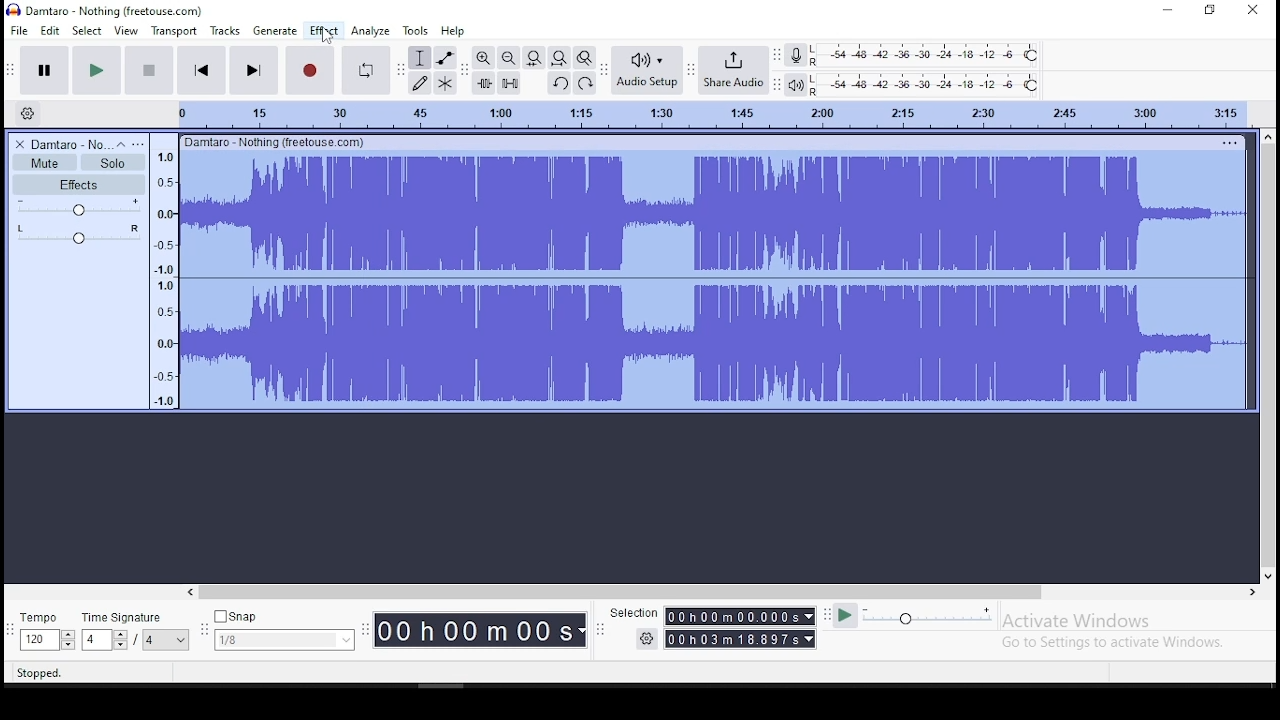  What do you see at coordinates (97, 69) in the screenshot?
I see `play` at bounding box center [97, 69].